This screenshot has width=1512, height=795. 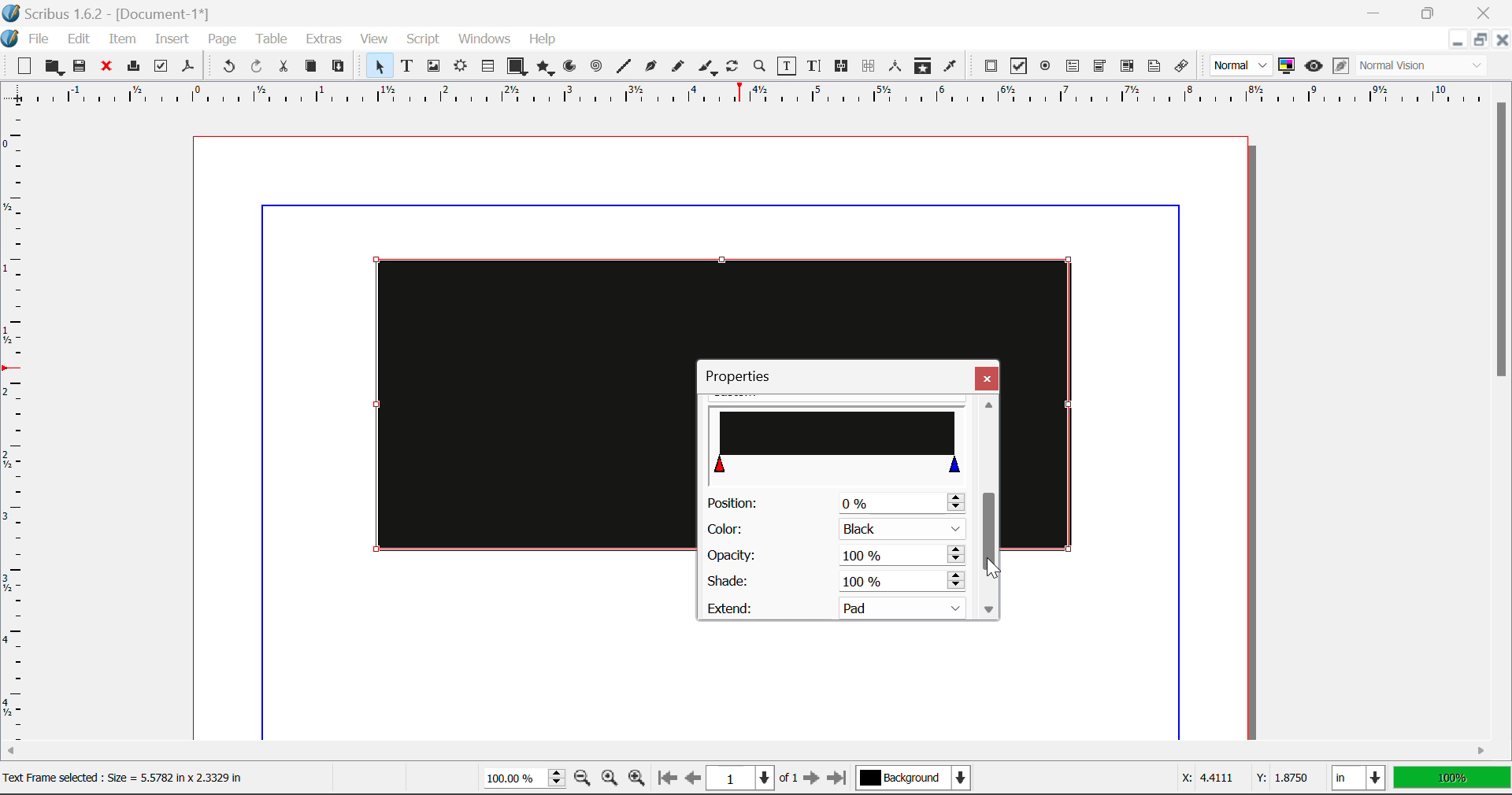 What do you see at coordinates (39, 41) in the screenshot?
I see `File` at bounding box center [39, 41].